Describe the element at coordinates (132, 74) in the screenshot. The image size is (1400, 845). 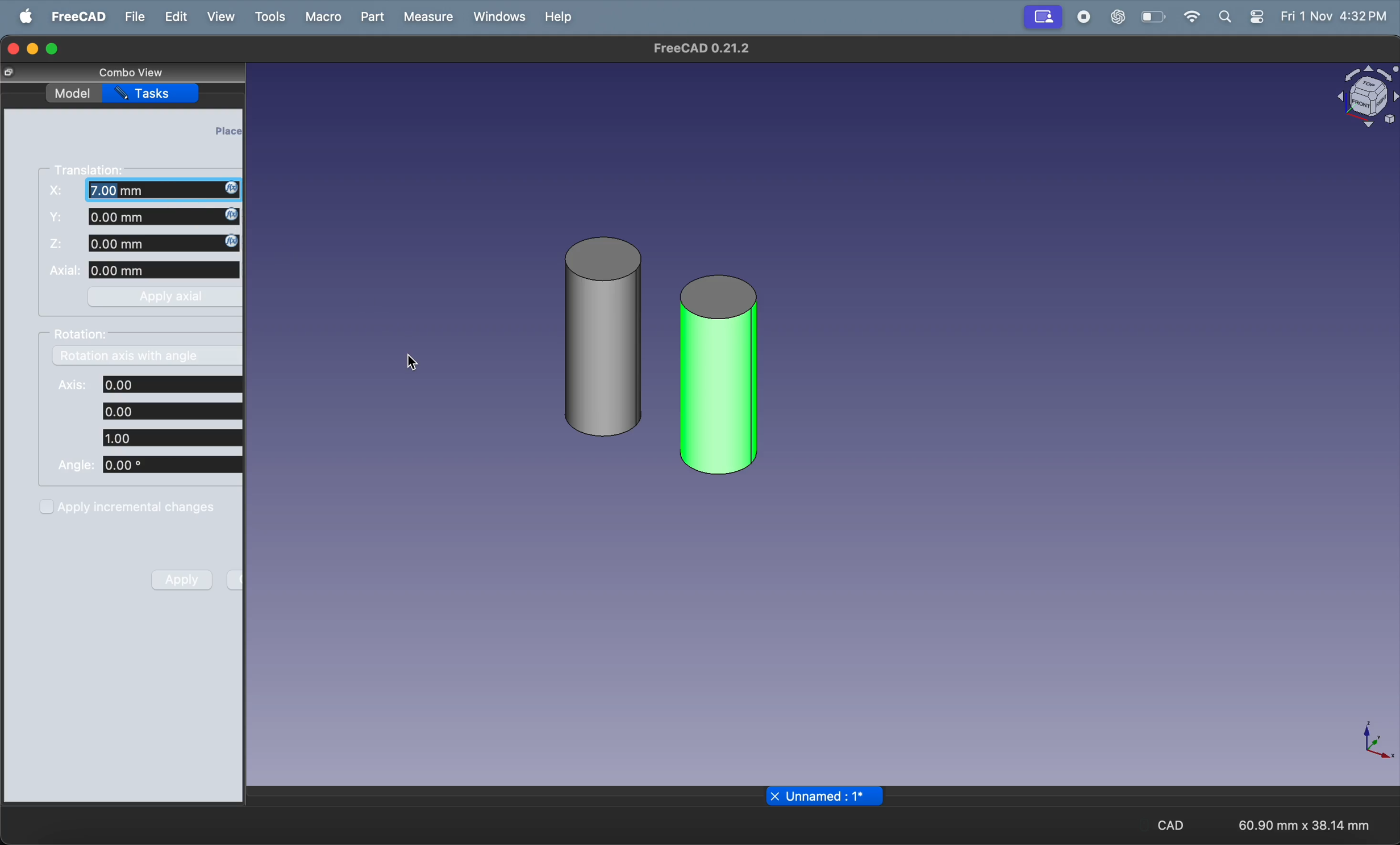
I see `combo view` at that location.